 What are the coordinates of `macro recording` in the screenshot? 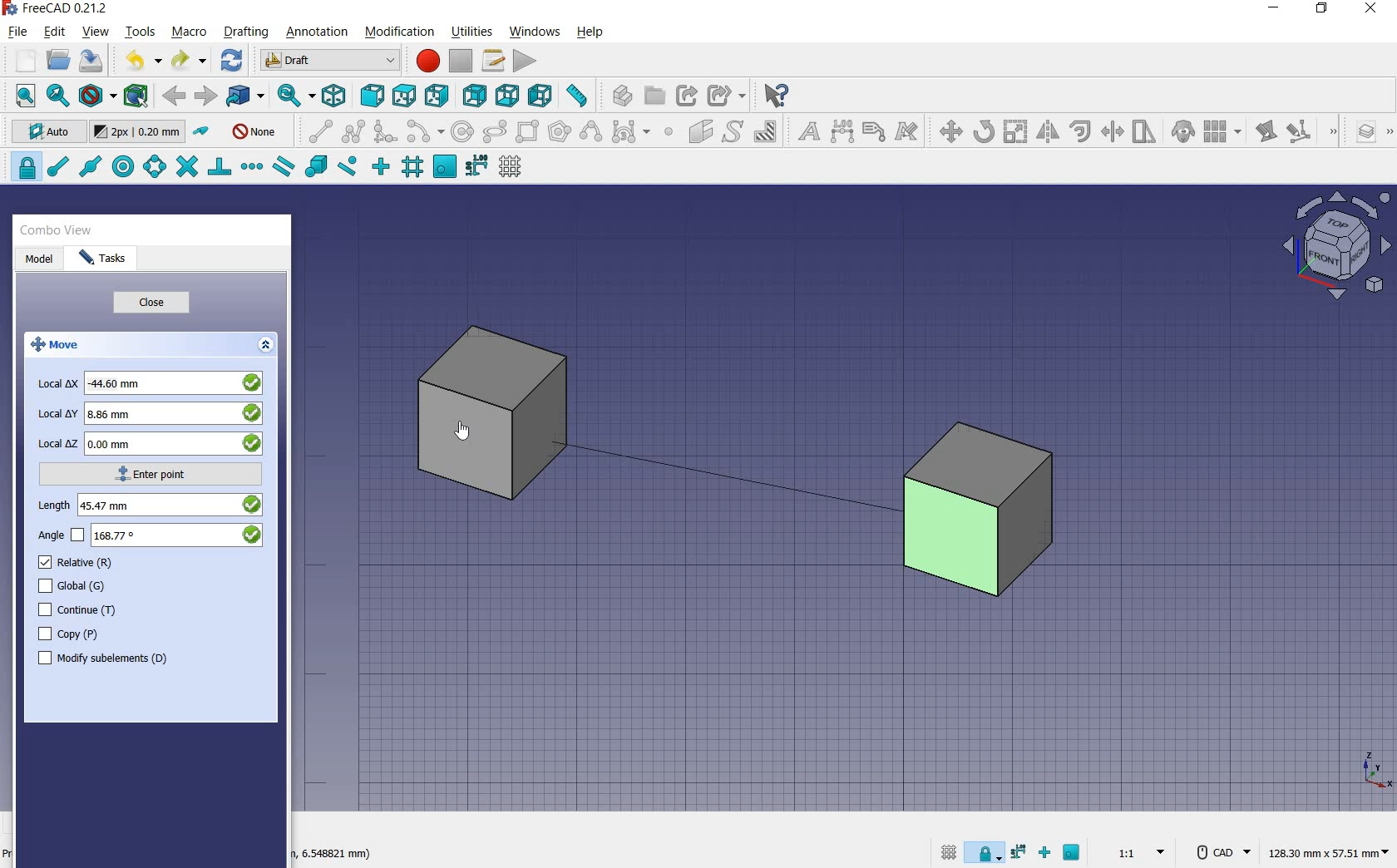 It's located at (427, 62).